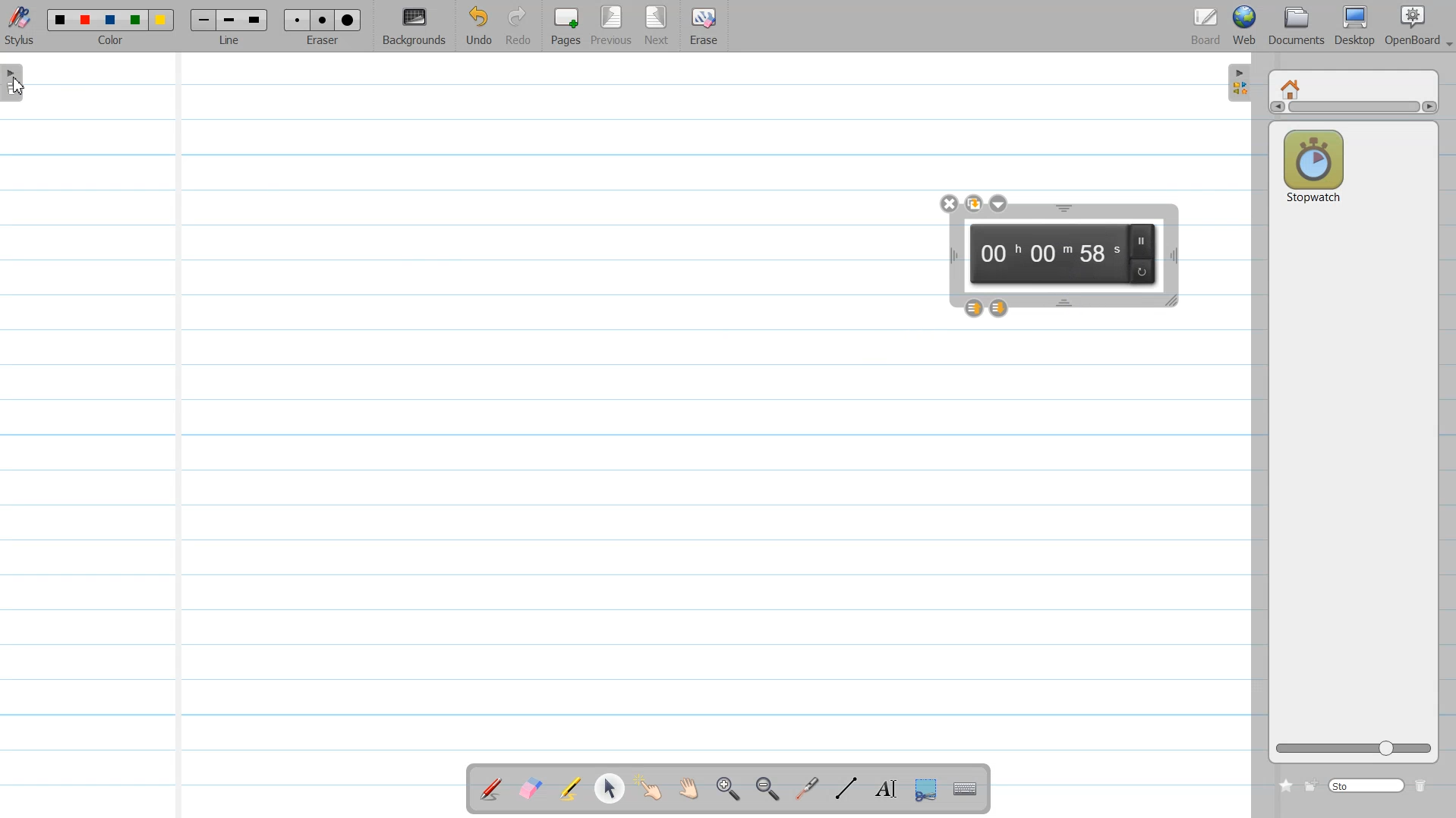 This screenshot has height=818, width=1456. Describe the element at coordinates (884, 789) in the screenshot. I see `Write Text` at that location.